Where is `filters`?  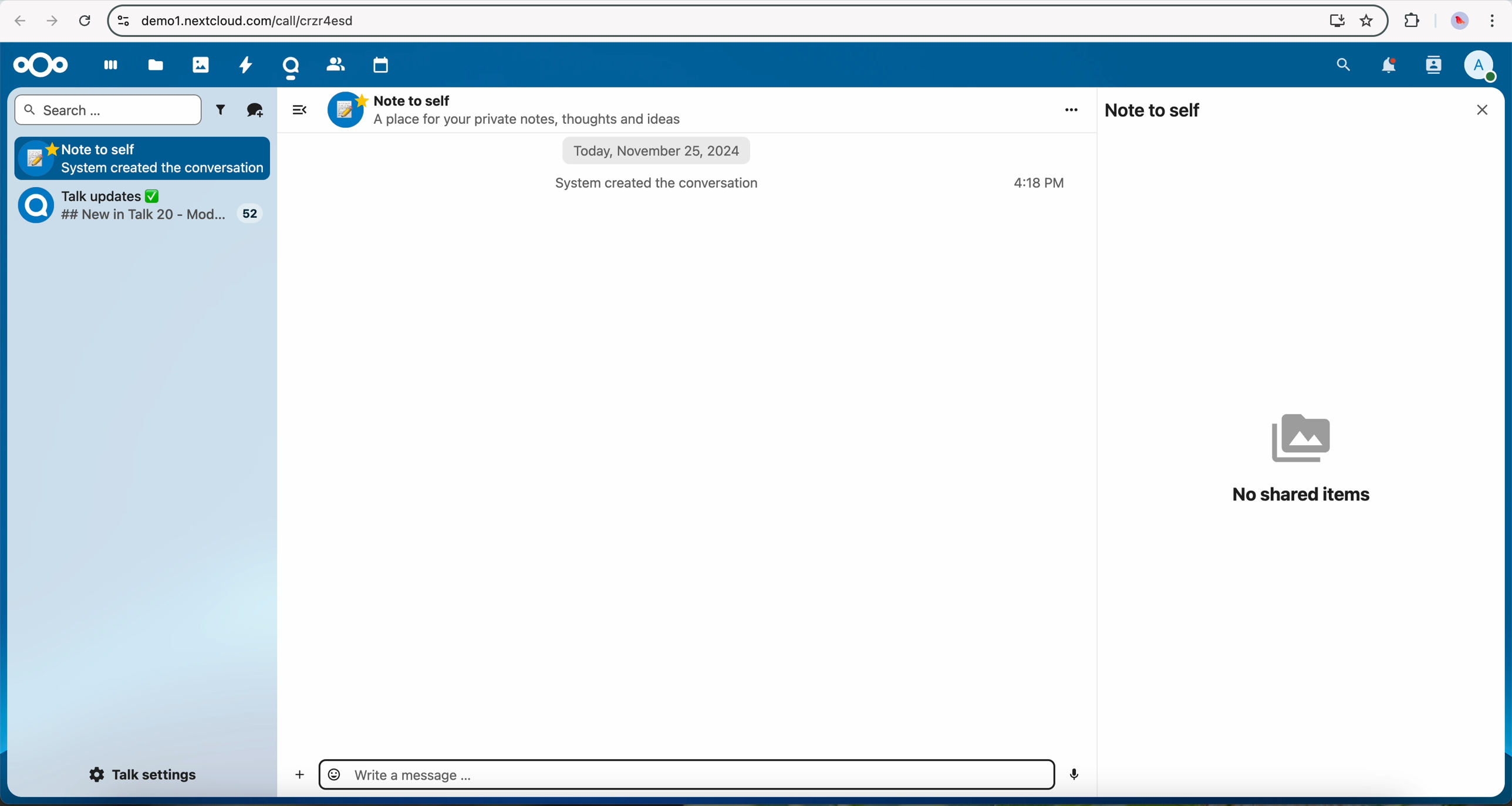
filters is located at coordinates (223, 110).